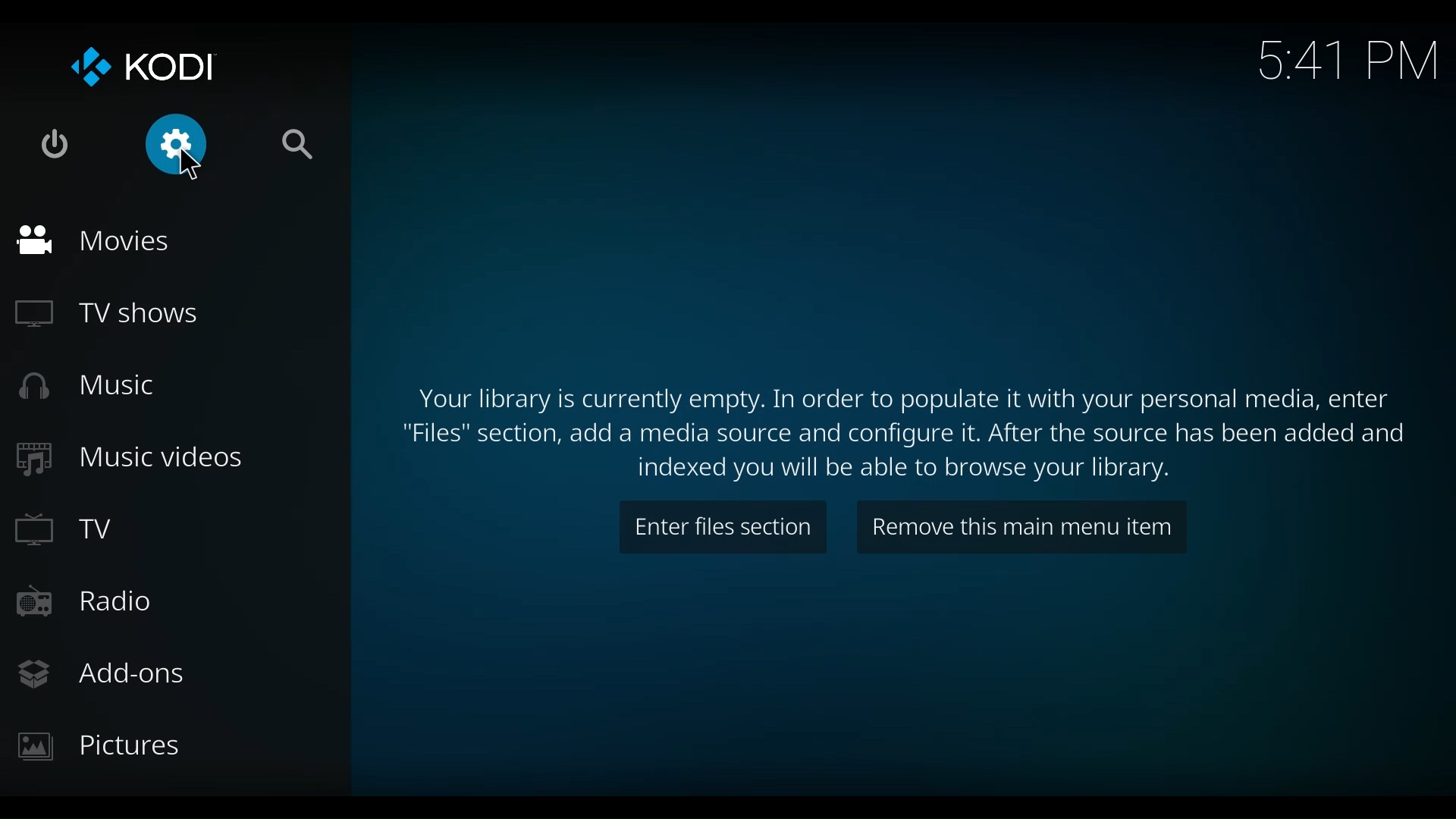 Image resolution: width=1456 pixels, height=819 pixels. Describe the element at coordinates (108, 672) in the screenshot. I see `Add-ons` at that location.